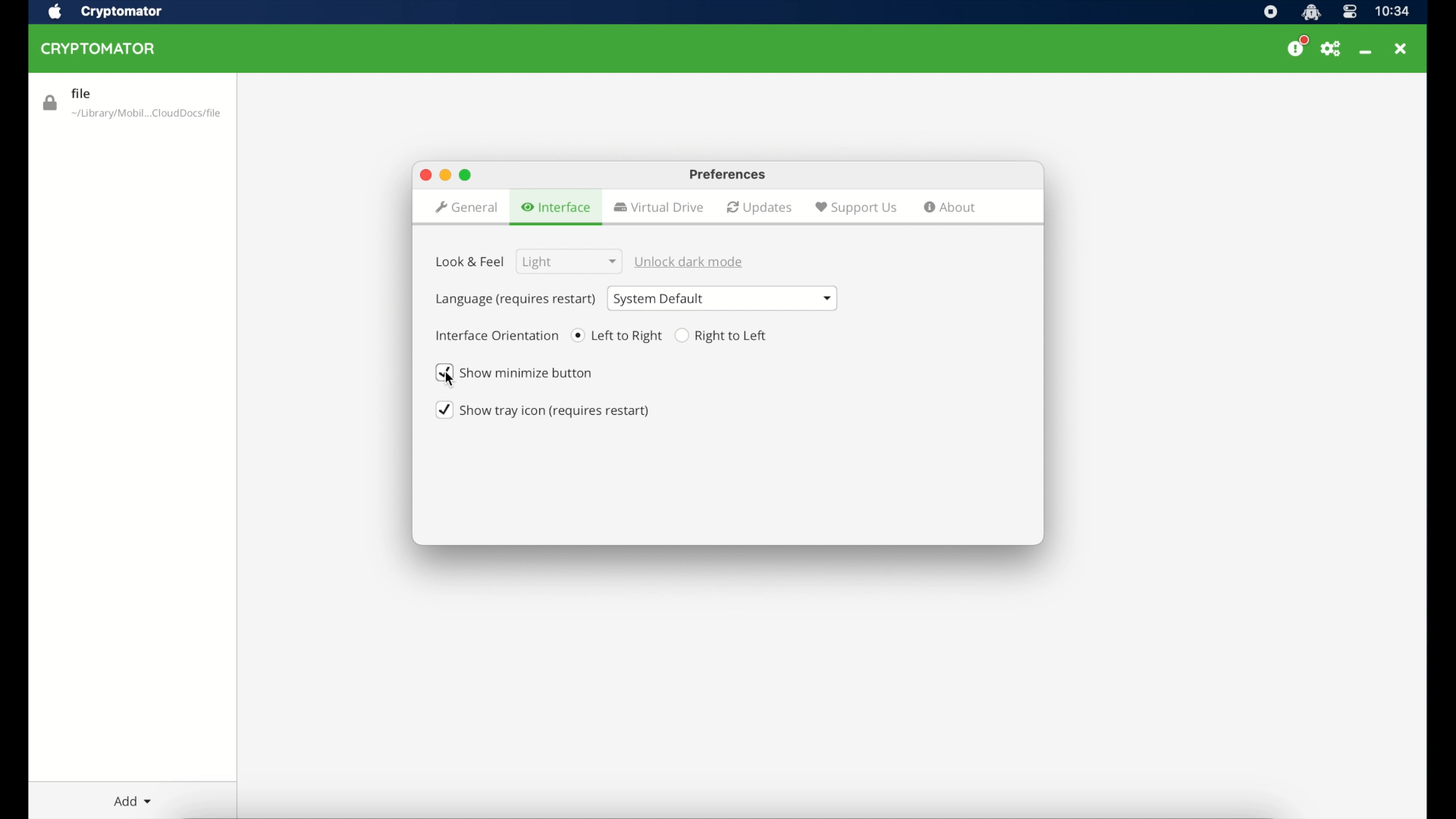  Describe the element at coordinates (1335, 50) in the screenshot. I see `preferences` at that location.